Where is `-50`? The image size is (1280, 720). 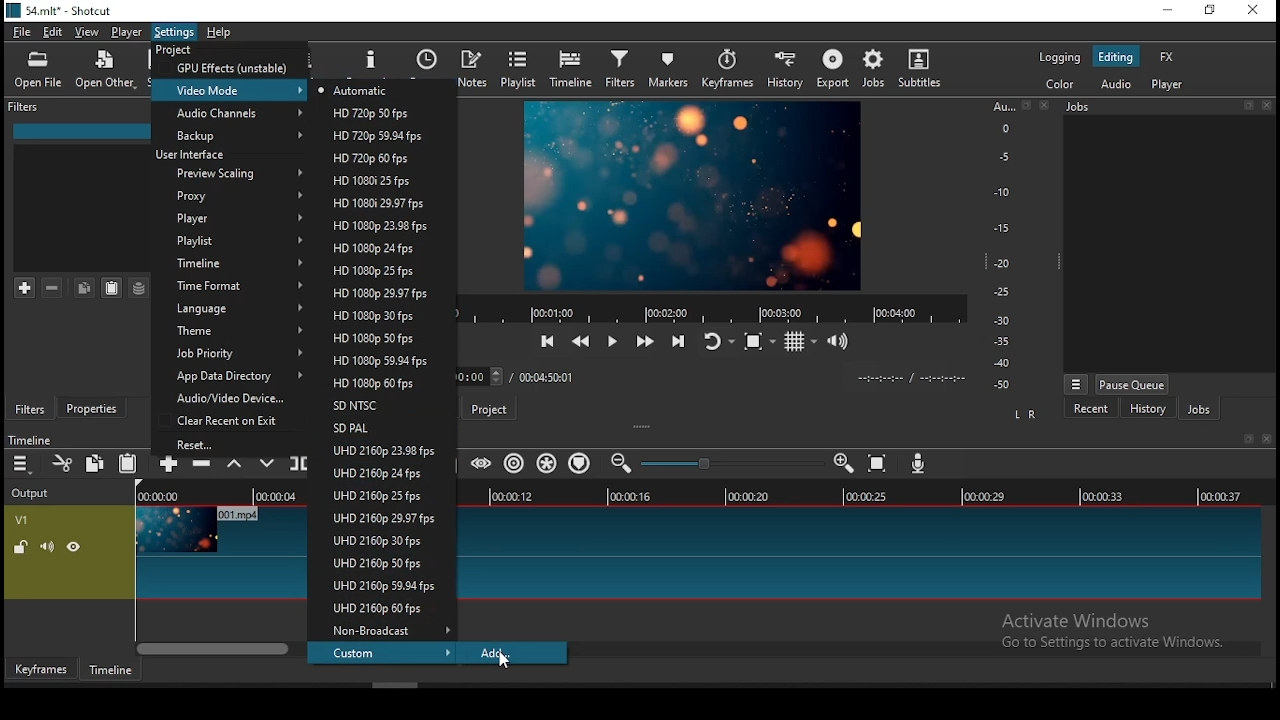 -50 is located at coordinates (1002, 385).